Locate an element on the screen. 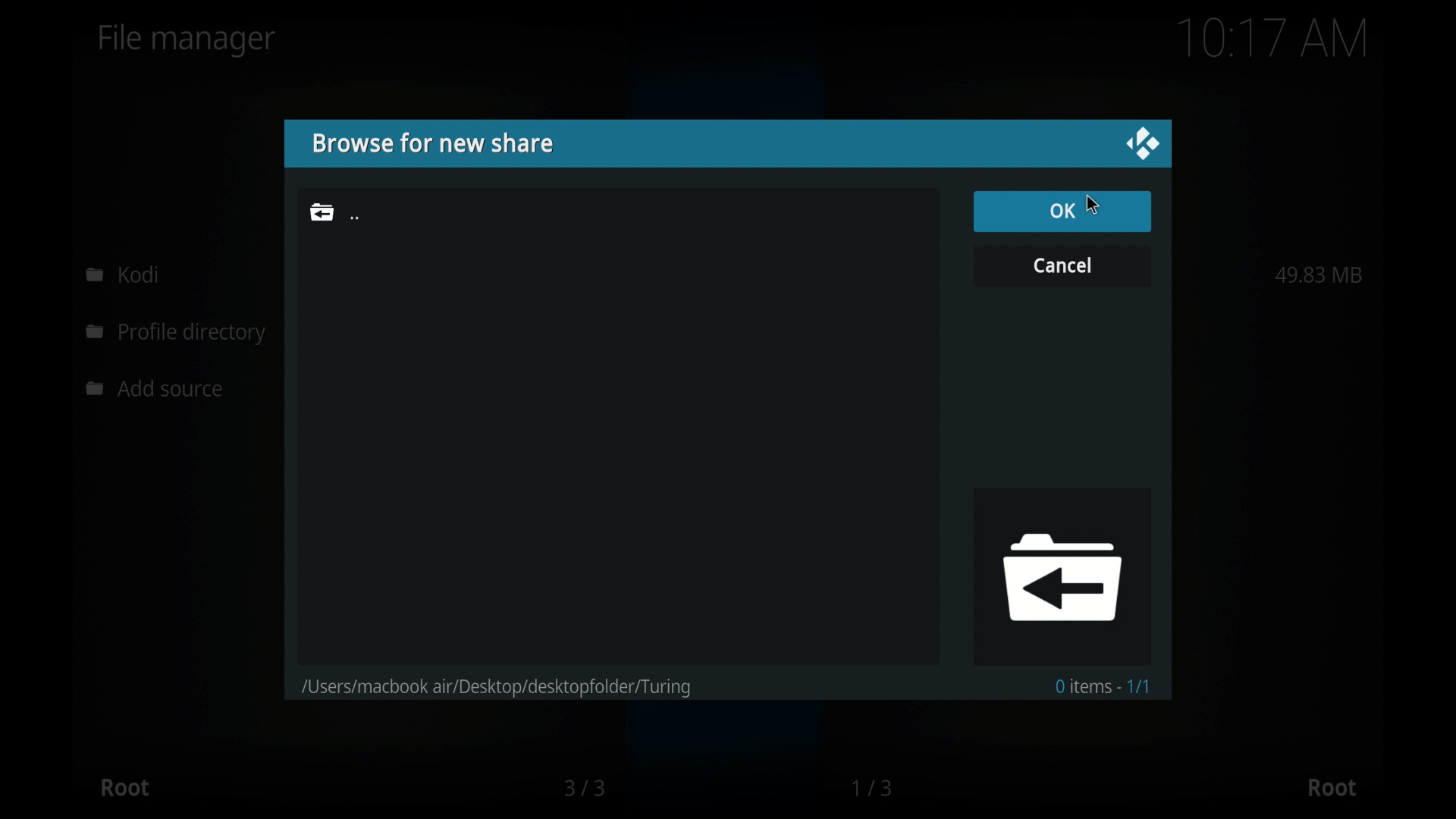 The image size is (1456, 819). root is located at coordinates (124, 787).